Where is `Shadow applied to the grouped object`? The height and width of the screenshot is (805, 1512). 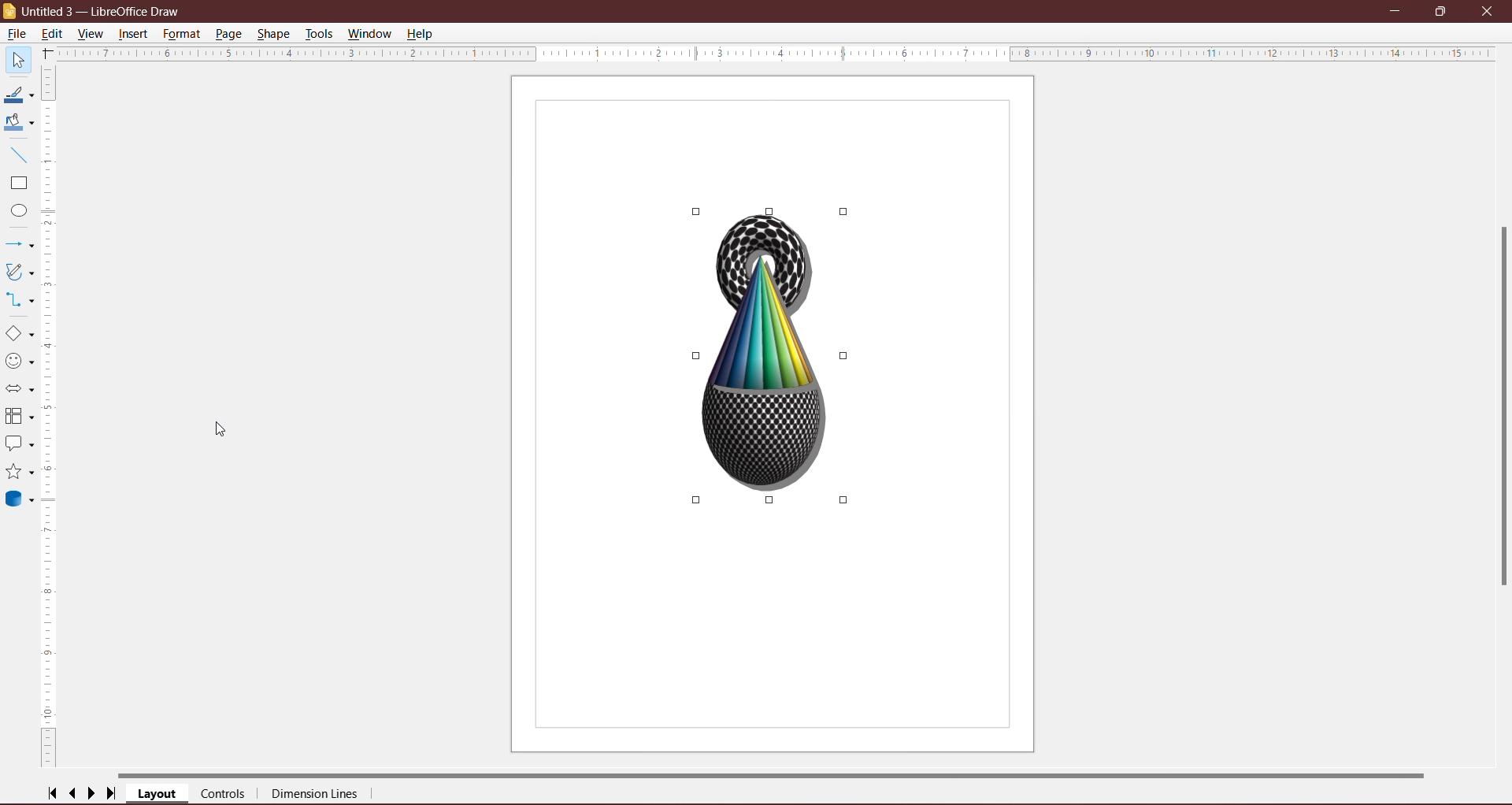
Shadow applied to the grouped object is located at coordinates (771, 356).